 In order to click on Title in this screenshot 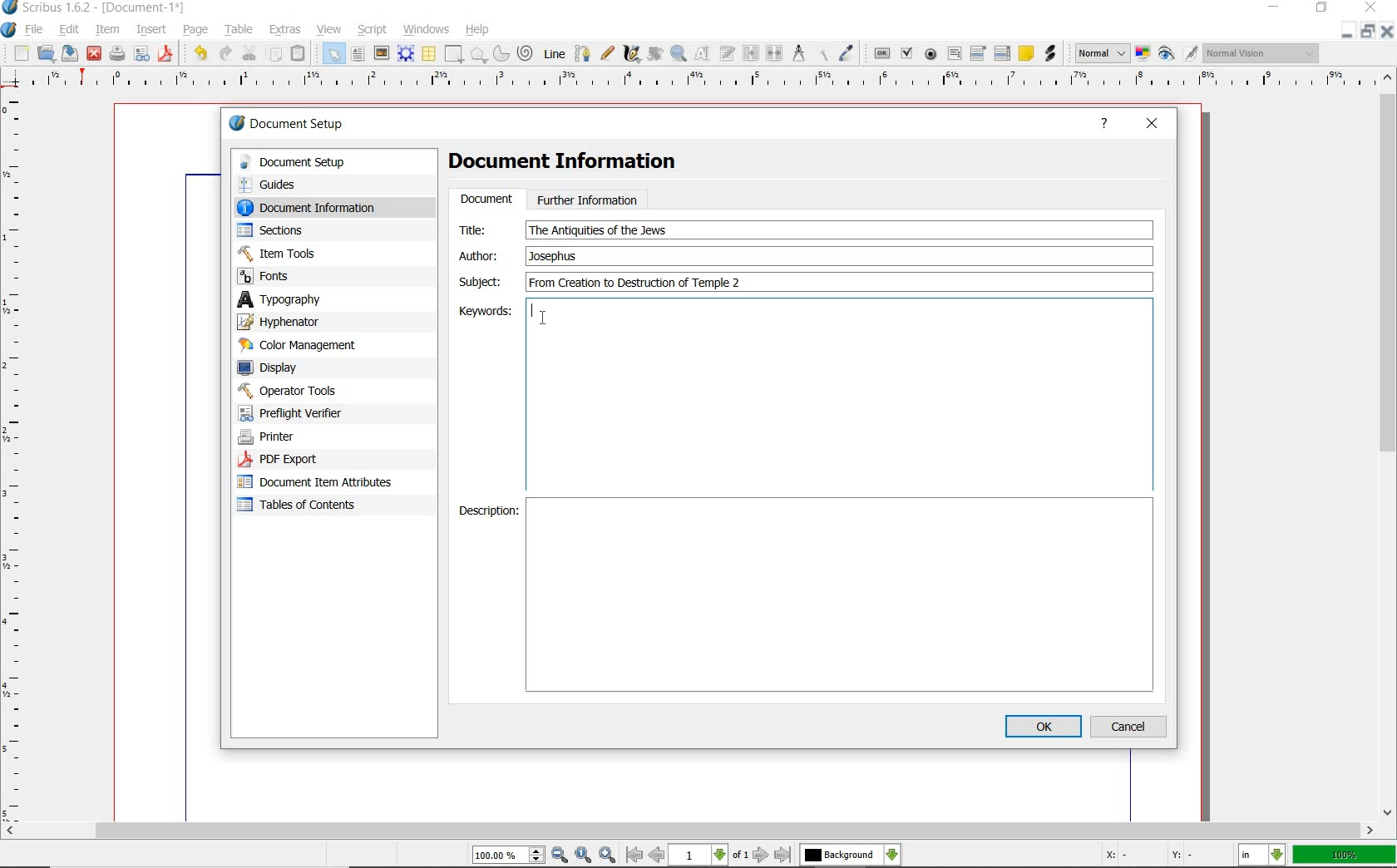, I will do `click(483, 229)`.